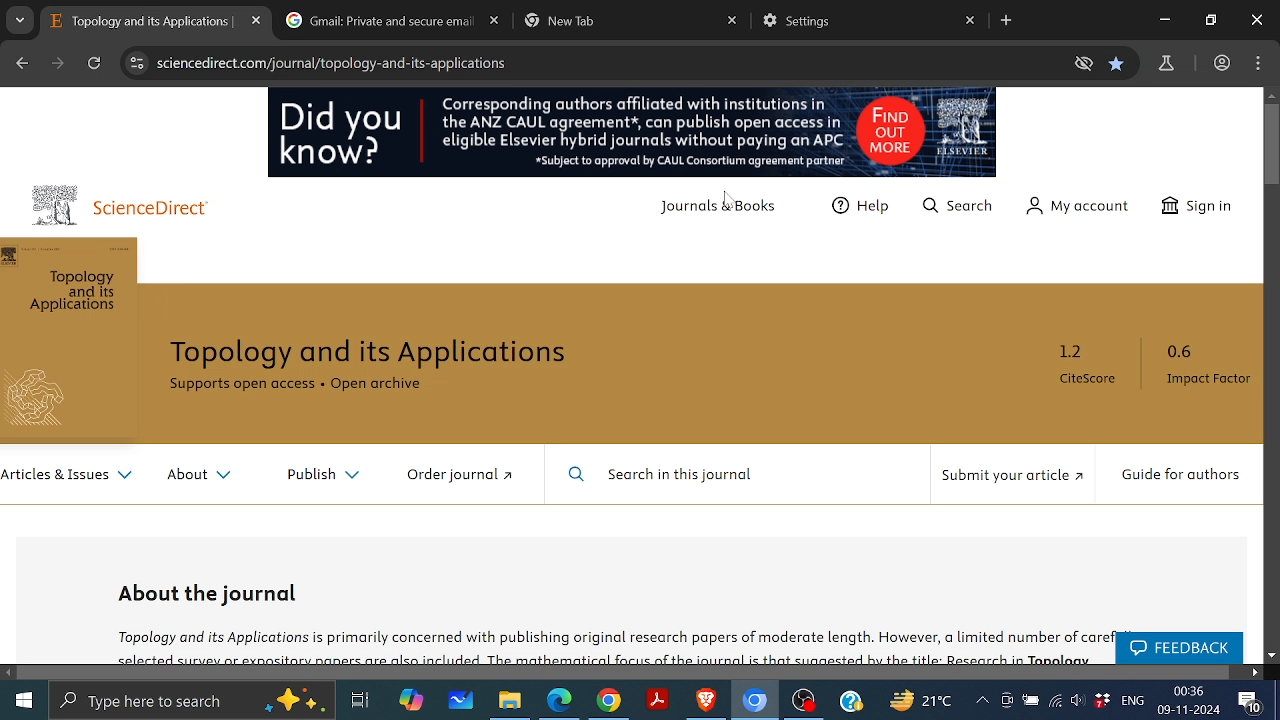  Describe the element at coordinates (1160, 20) in the screenshot. I see `Minimize` at that location.